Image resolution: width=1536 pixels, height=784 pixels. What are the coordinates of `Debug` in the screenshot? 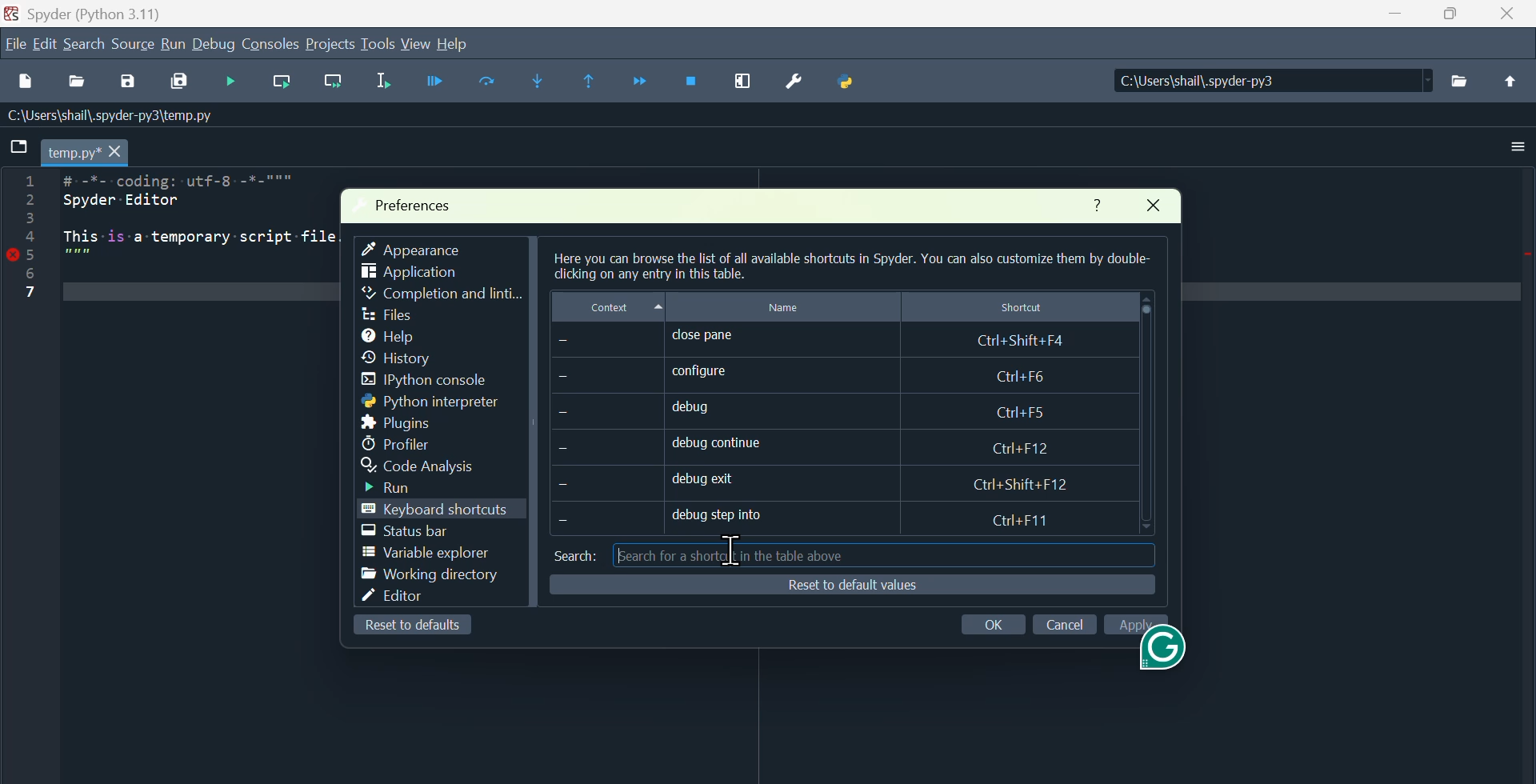 It's located at (438, 82).